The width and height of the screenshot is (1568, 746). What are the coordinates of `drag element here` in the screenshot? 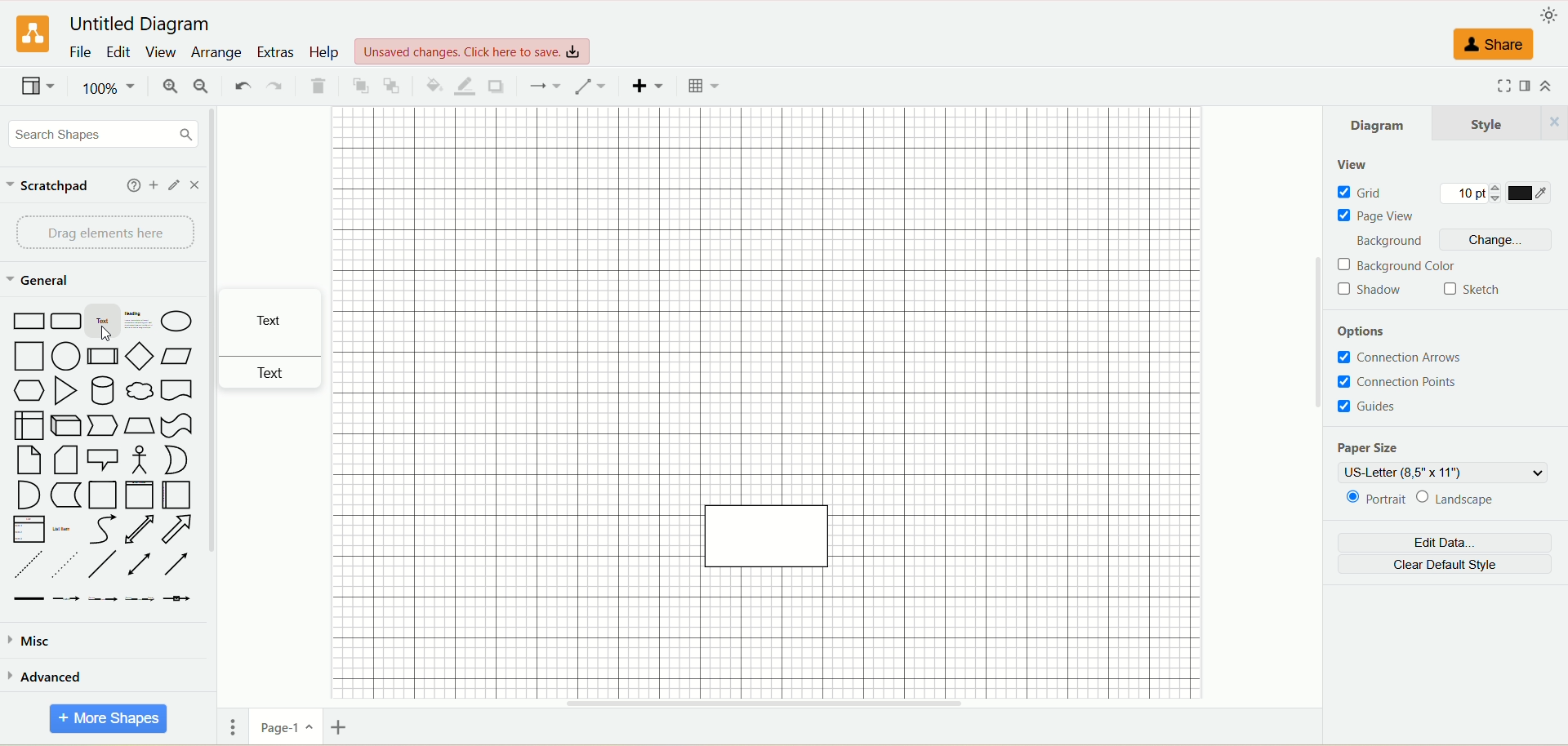 It's located at (100, 230).